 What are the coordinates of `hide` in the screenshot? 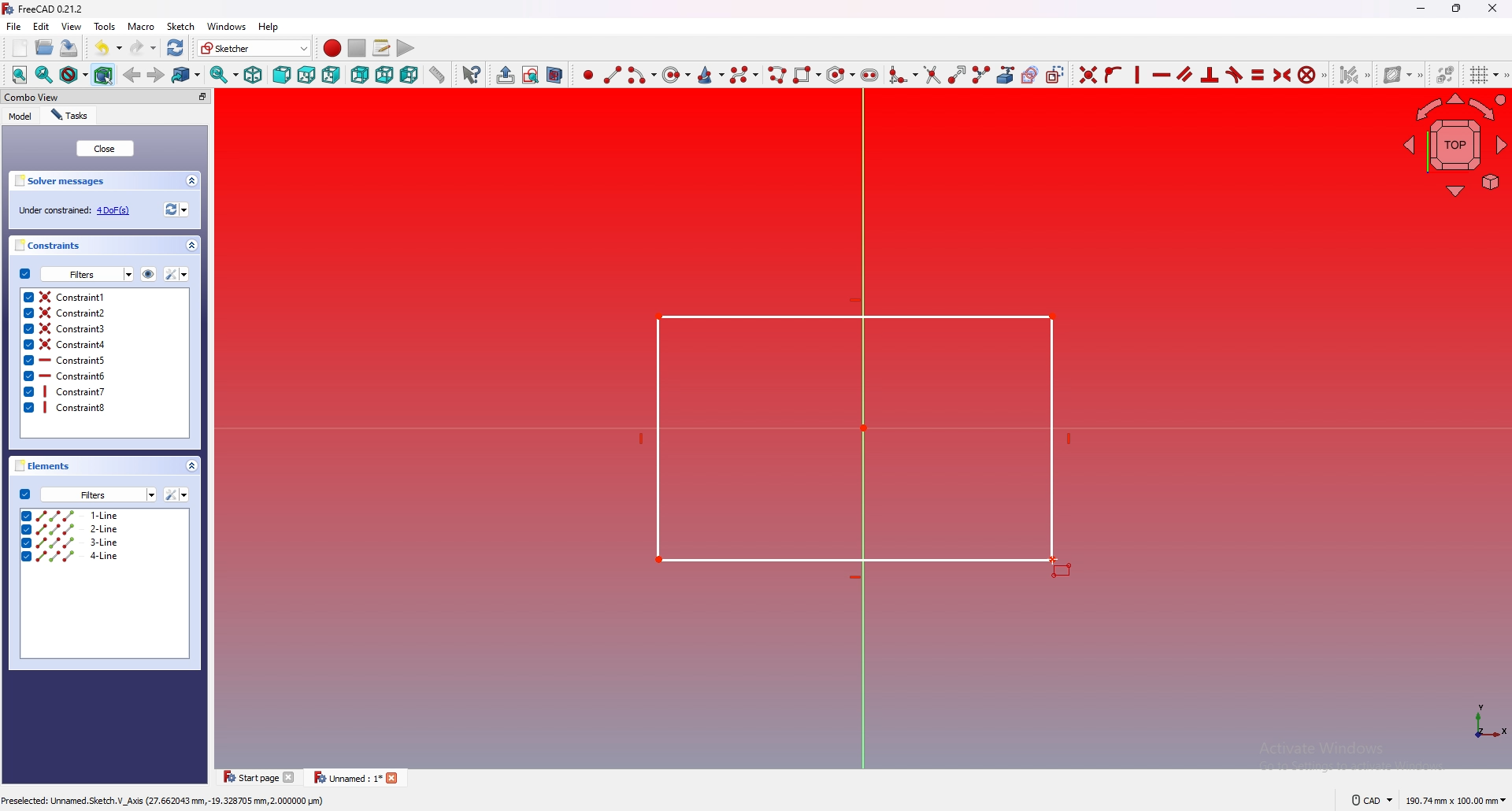 It's located at (148, 275).